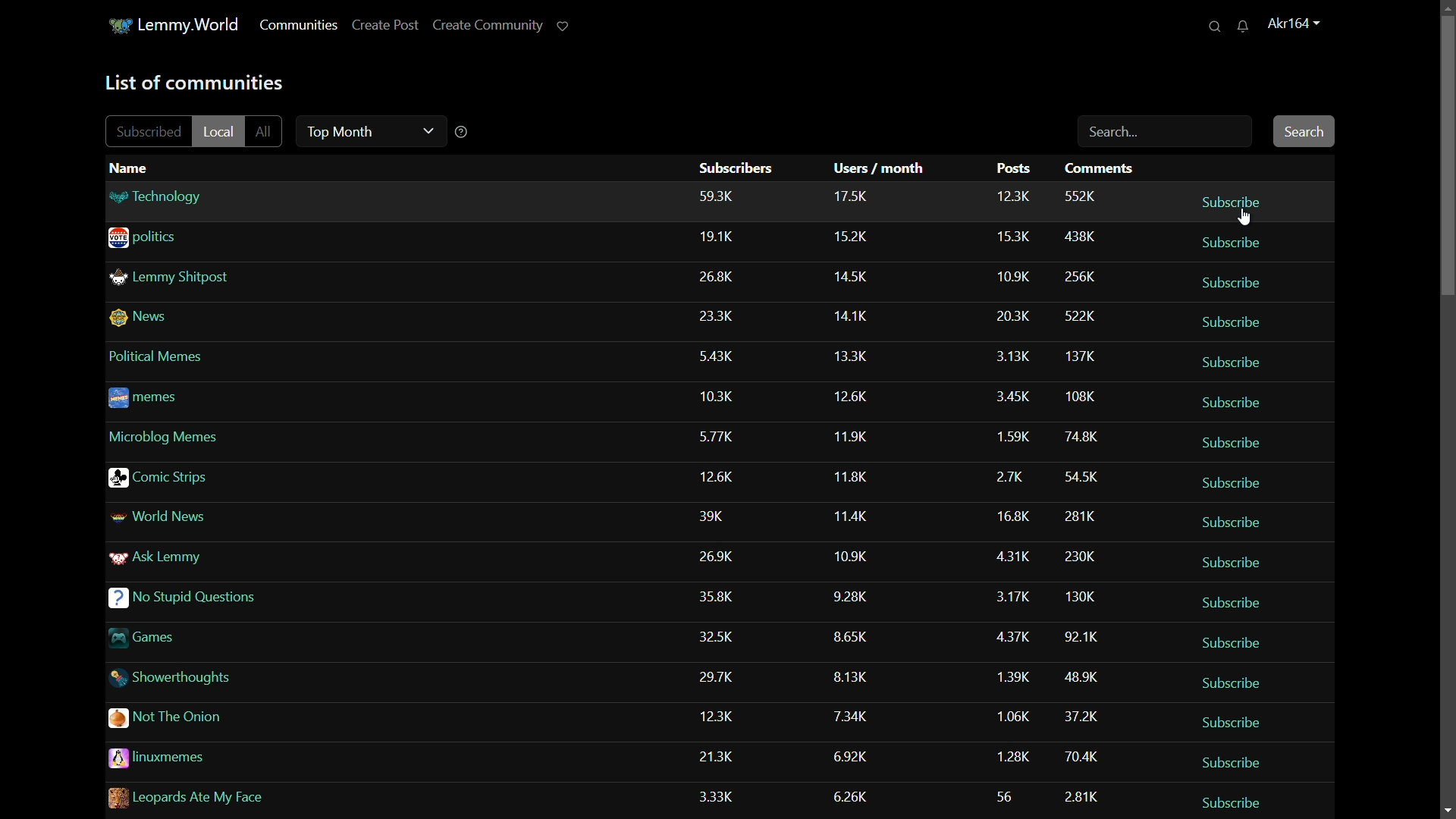  Describe the element at coordinates (719, 792) in the screenshot. I see `subscribers` at that location.